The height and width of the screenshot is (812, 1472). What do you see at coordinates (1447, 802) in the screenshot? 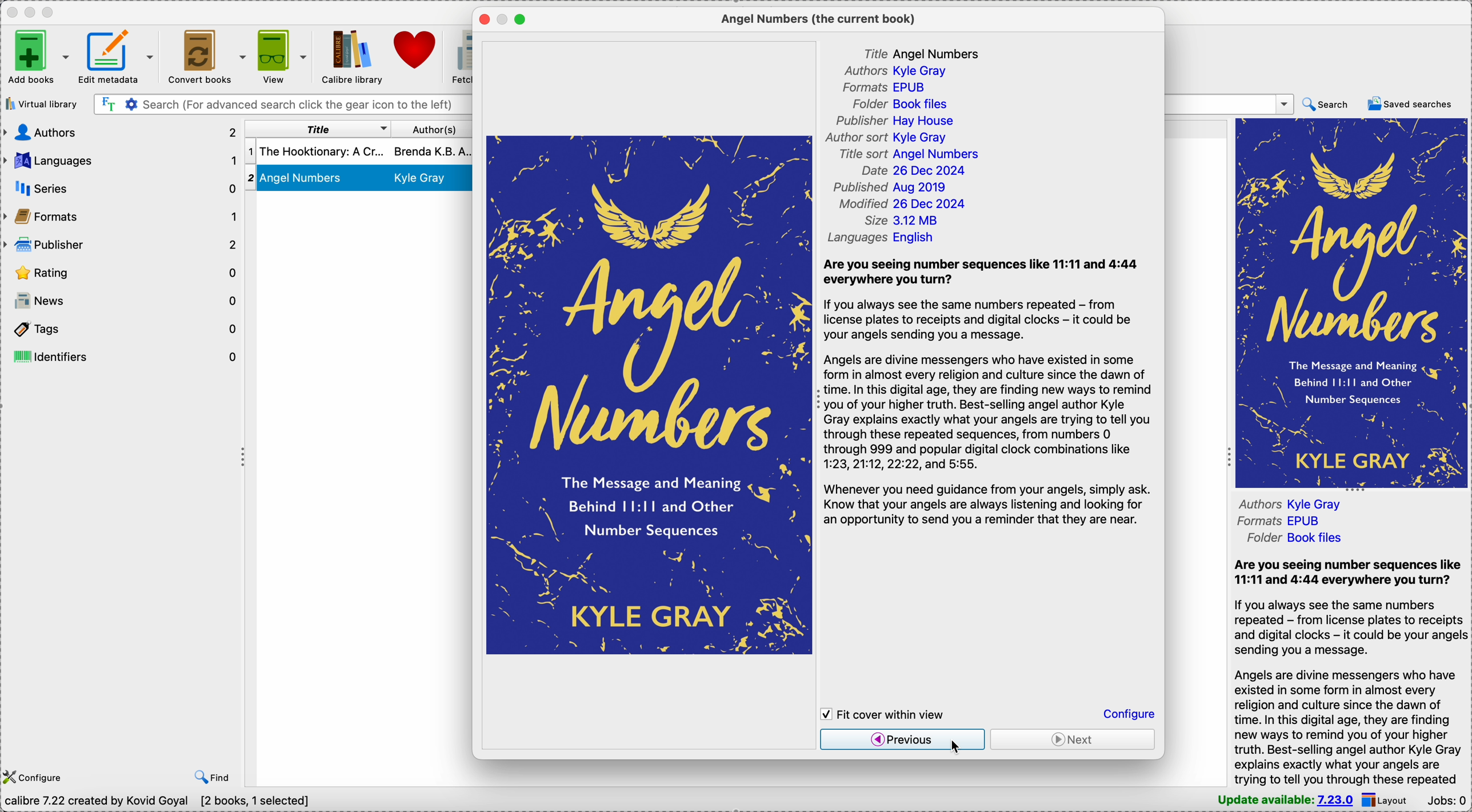
I see `Jobs: 0` at bounding box center [1447, 802].